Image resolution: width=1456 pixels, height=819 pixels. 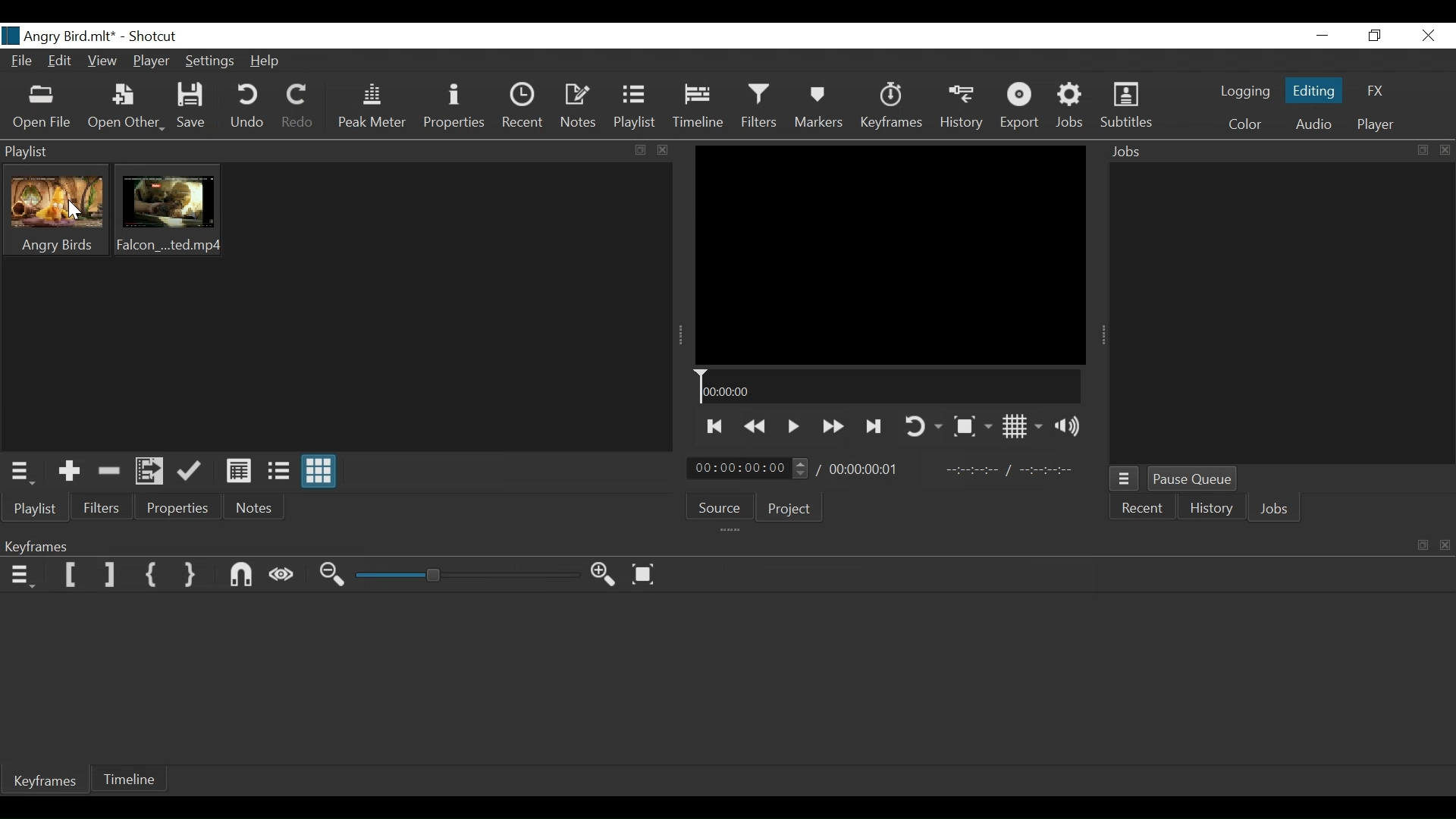 I want to click on Minimize, so click(x=1323, y=36).